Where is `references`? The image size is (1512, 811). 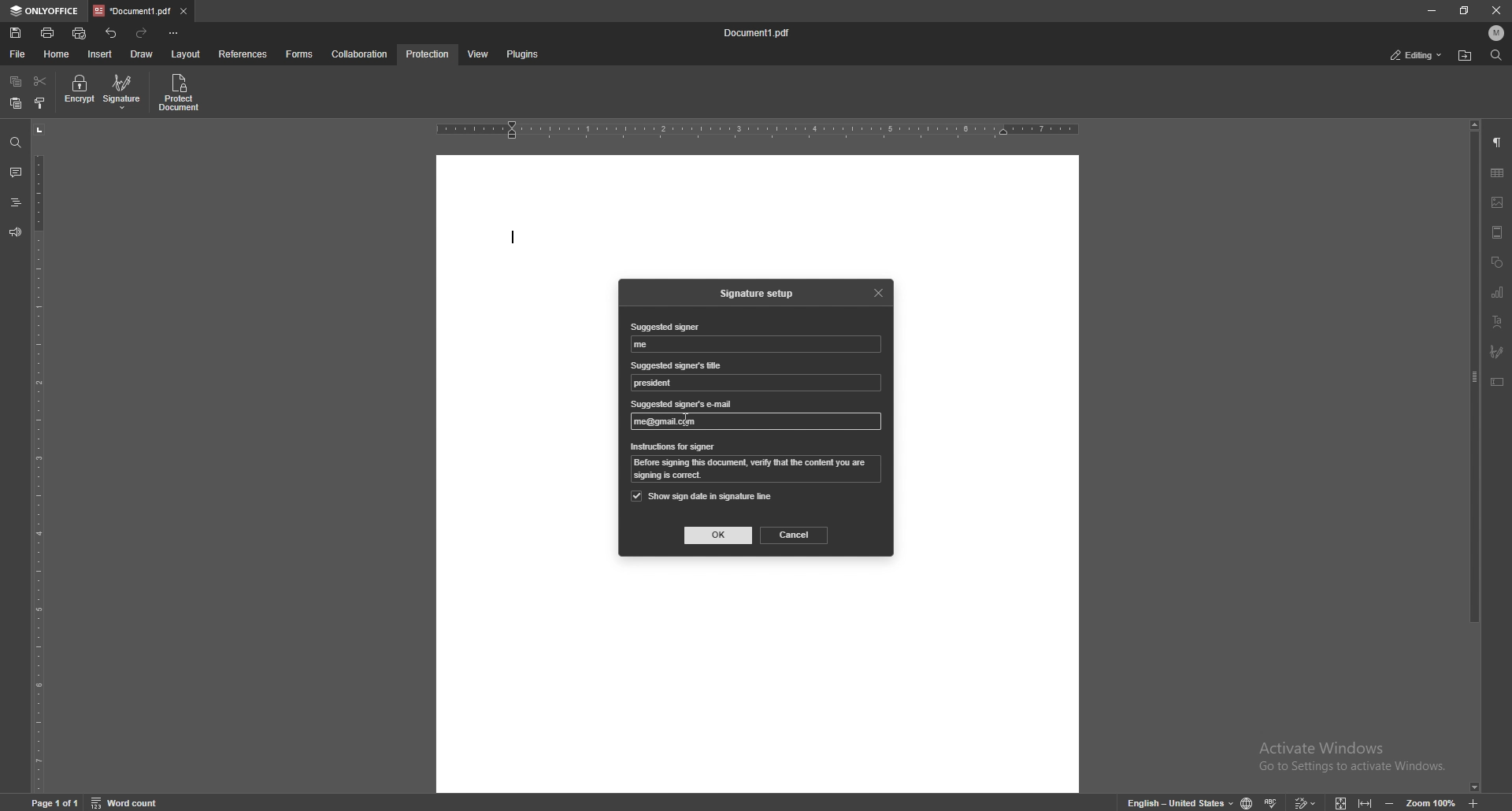
references is located at coordinates (245, 54).